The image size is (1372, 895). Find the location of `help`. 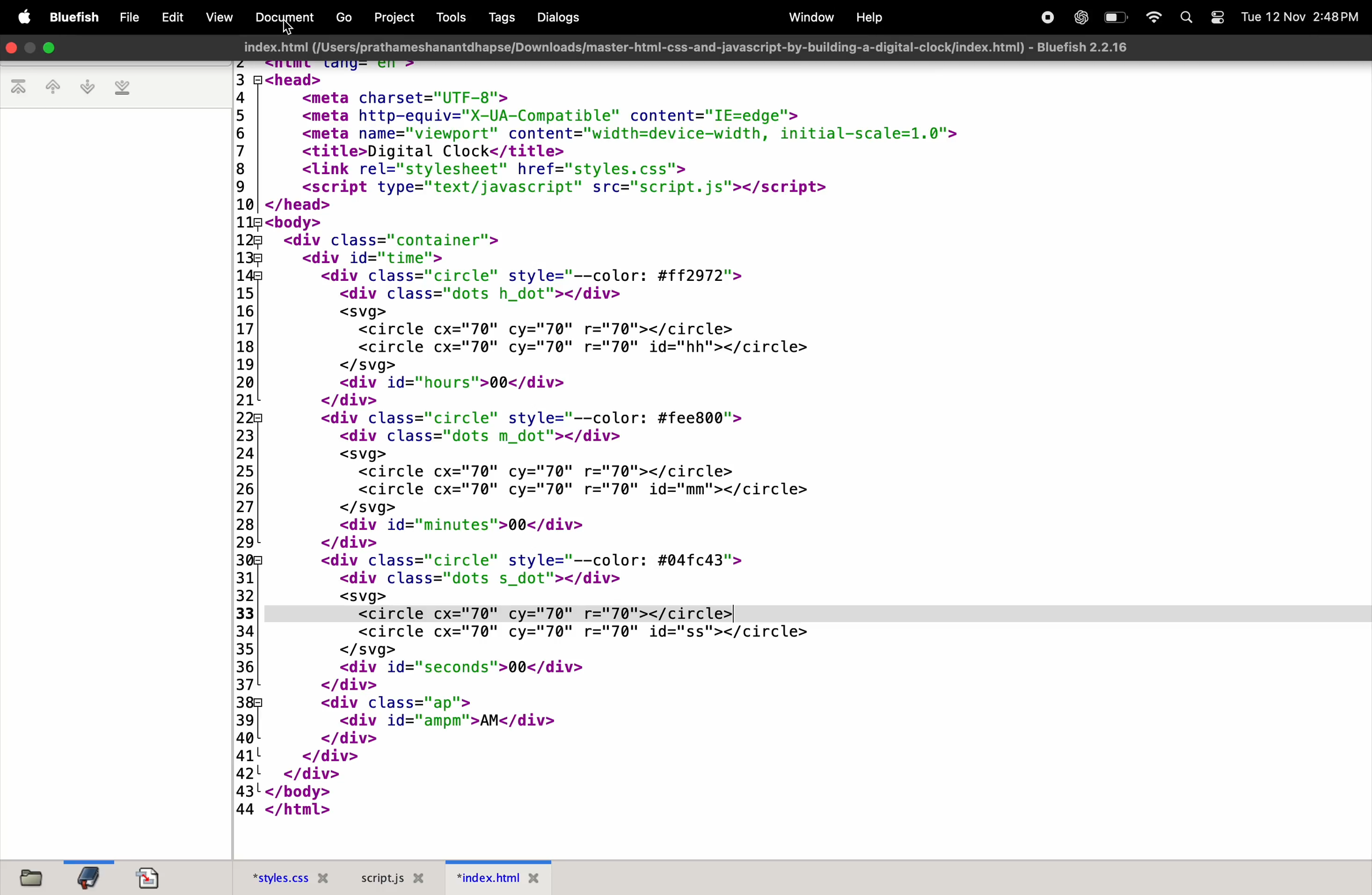

help is located at coordinates (870, 16).